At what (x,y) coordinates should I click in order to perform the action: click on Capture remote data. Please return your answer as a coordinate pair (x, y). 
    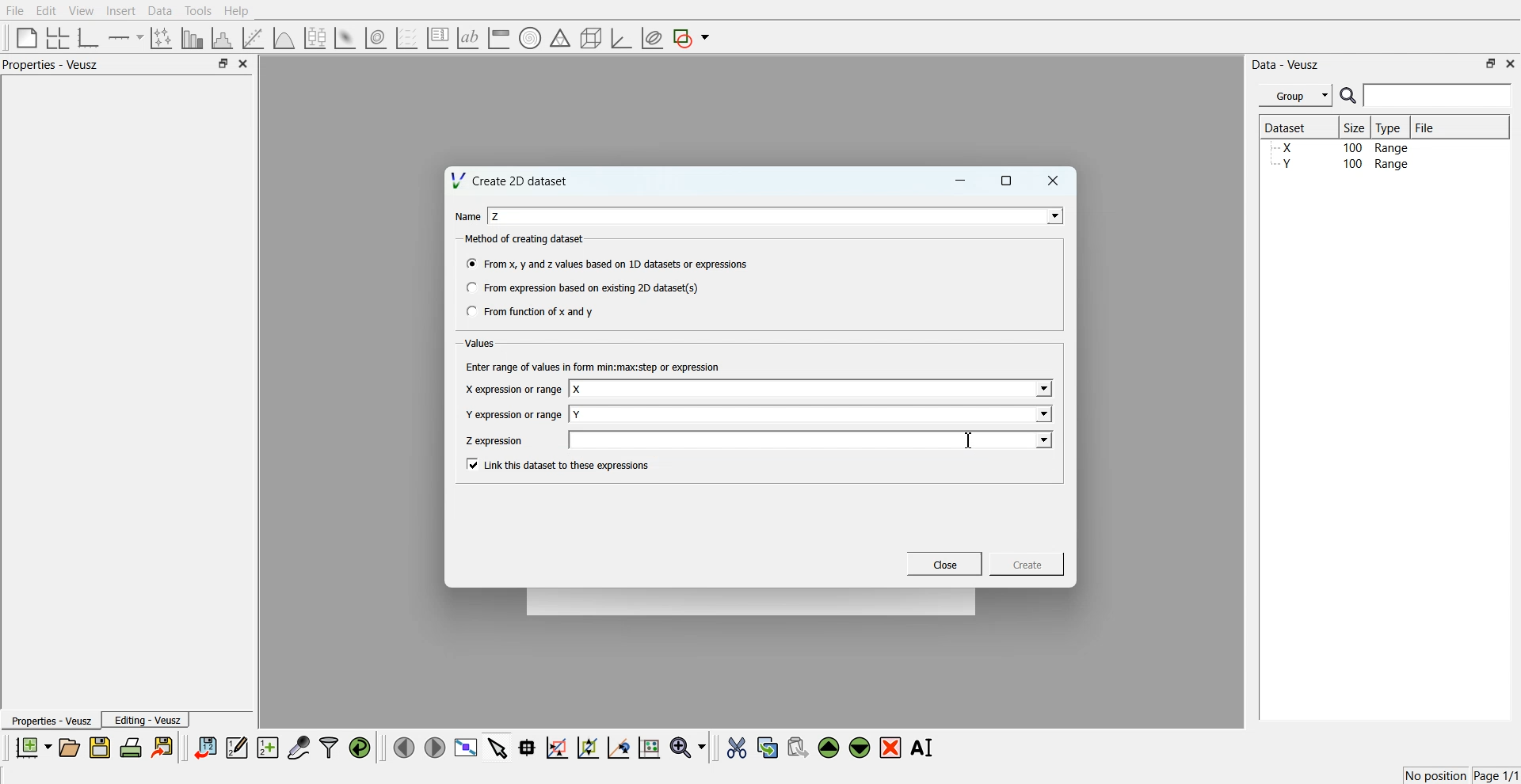
    Looking at the image, I should click on (299, 747).